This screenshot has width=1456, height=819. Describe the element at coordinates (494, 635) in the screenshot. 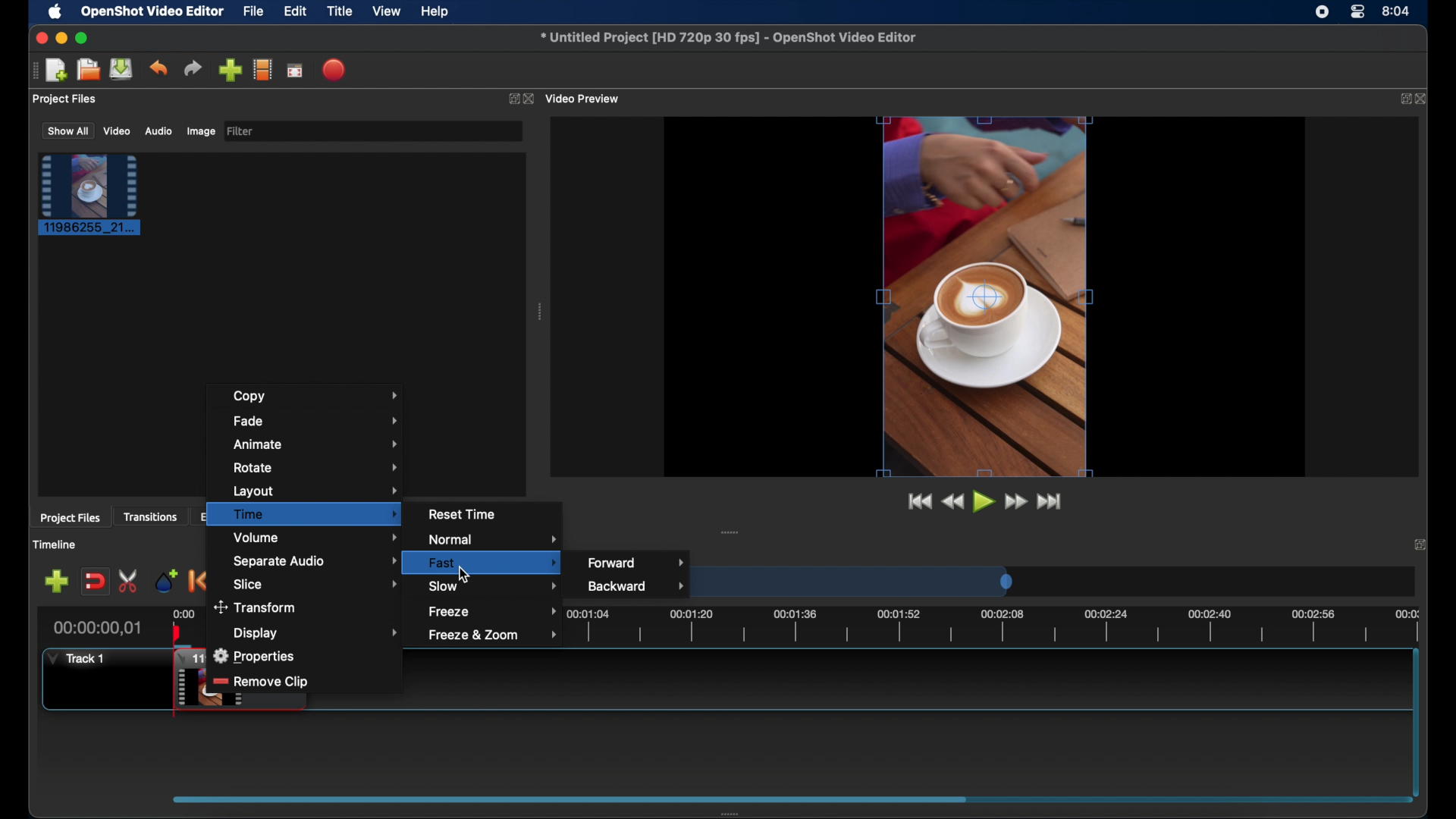

I see `freeze and zoom menu` at that location.